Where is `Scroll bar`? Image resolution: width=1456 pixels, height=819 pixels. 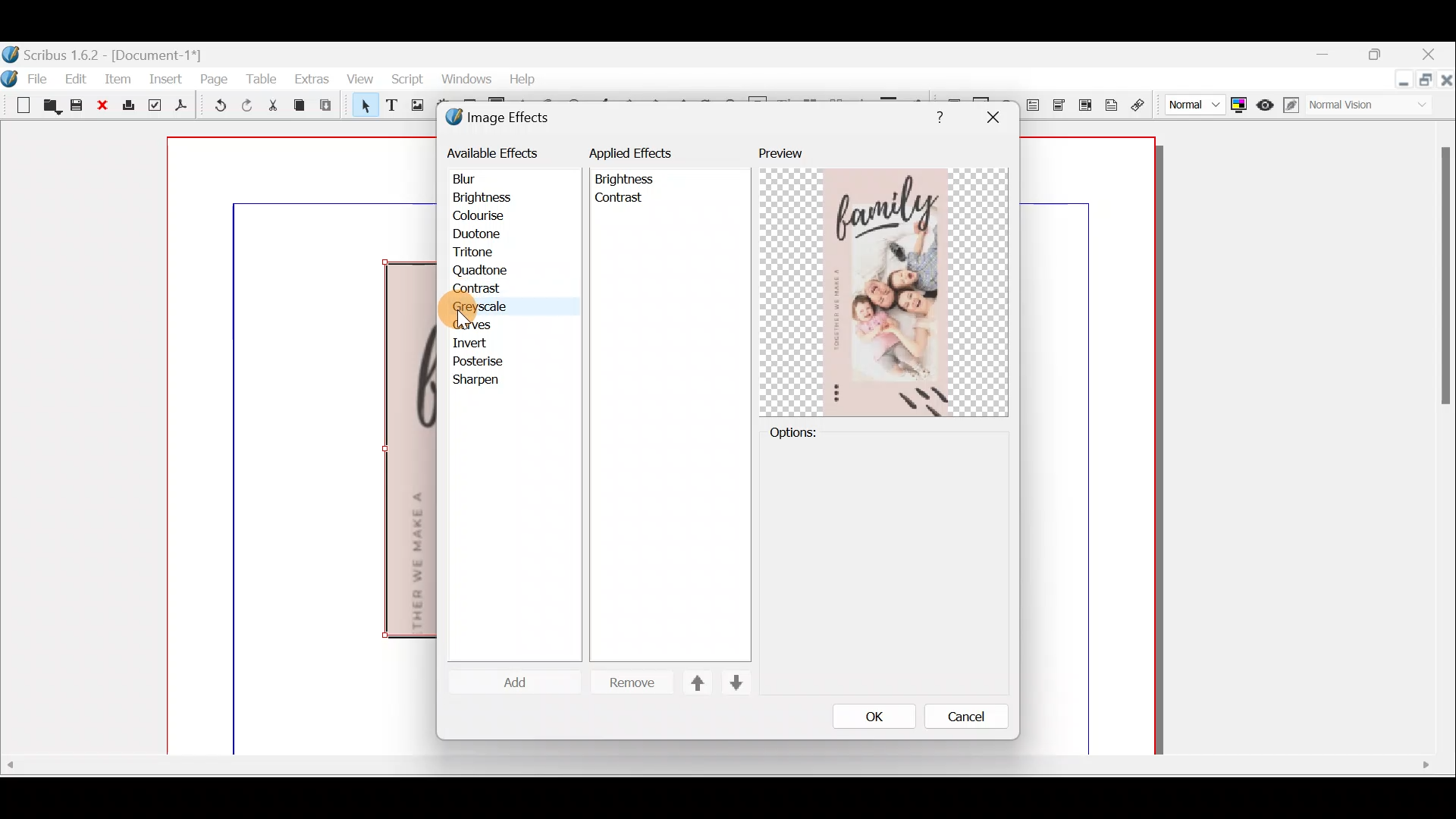 Scroll bar is located at coordinates (1436, 437).